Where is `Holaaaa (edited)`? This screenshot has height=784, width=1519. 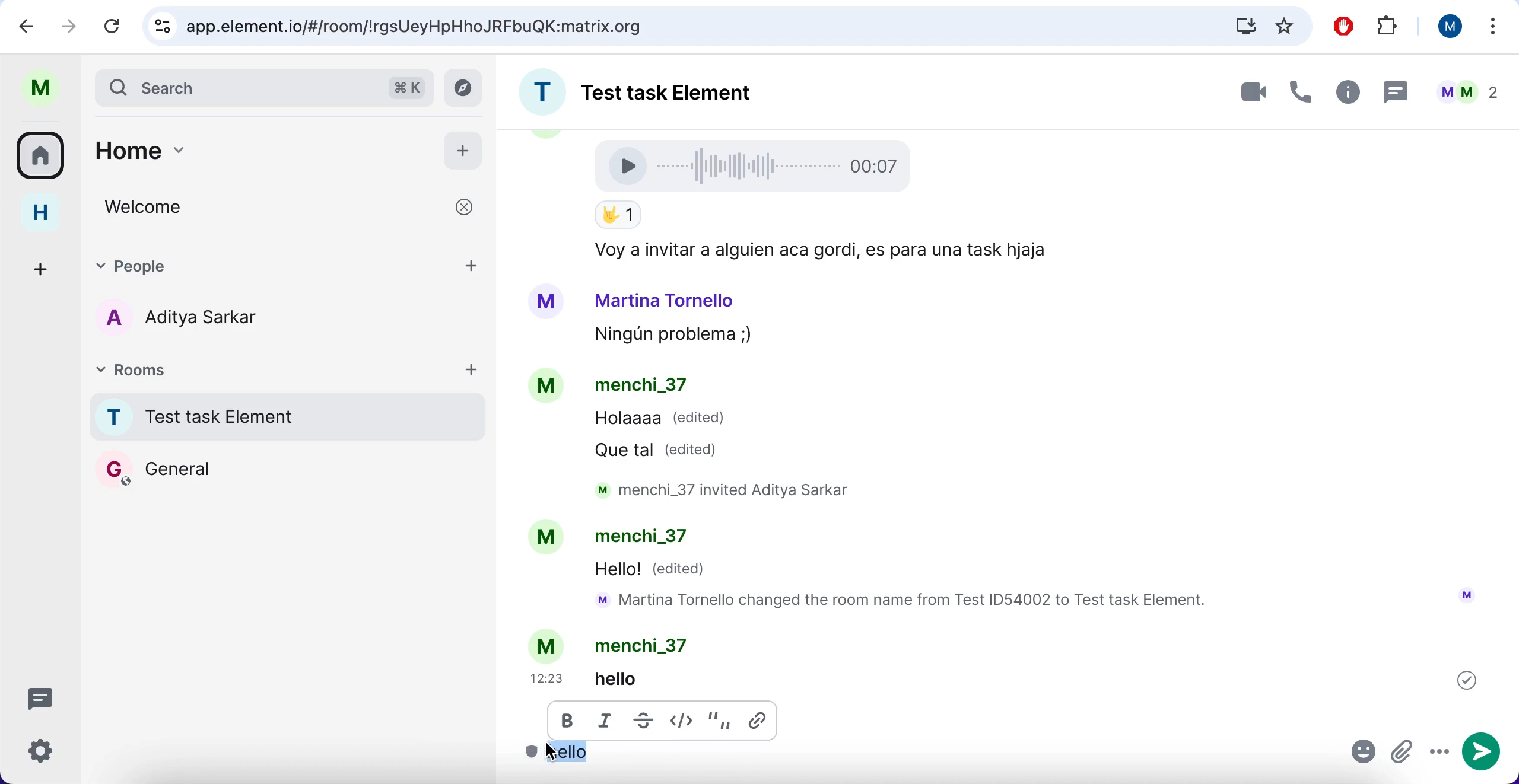
Holaaaa (edited) is located at coordinates (660, 421).